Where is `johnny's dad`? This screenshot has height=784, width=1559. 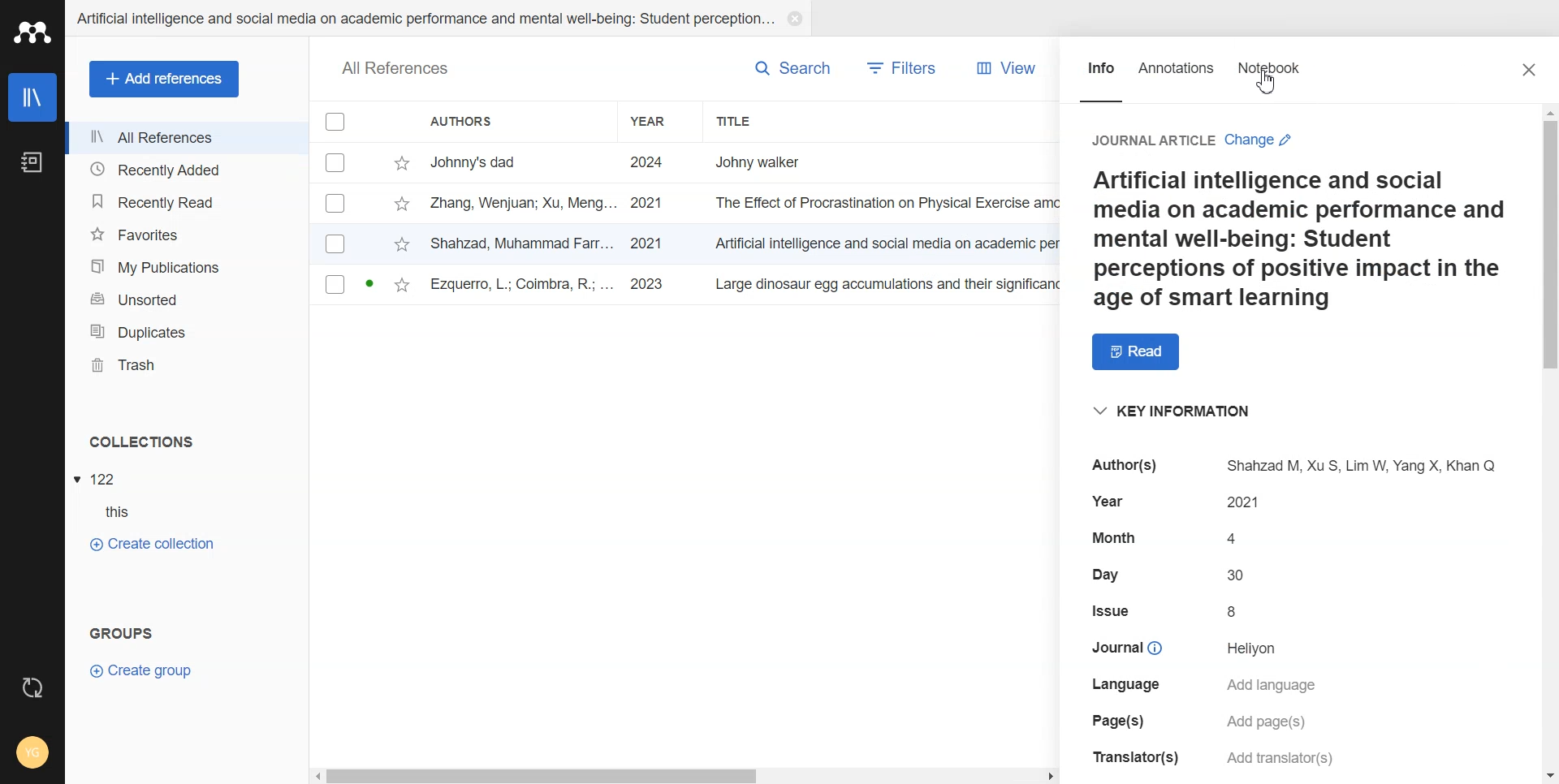 johnny's dad is located at coordinates (524, 161).